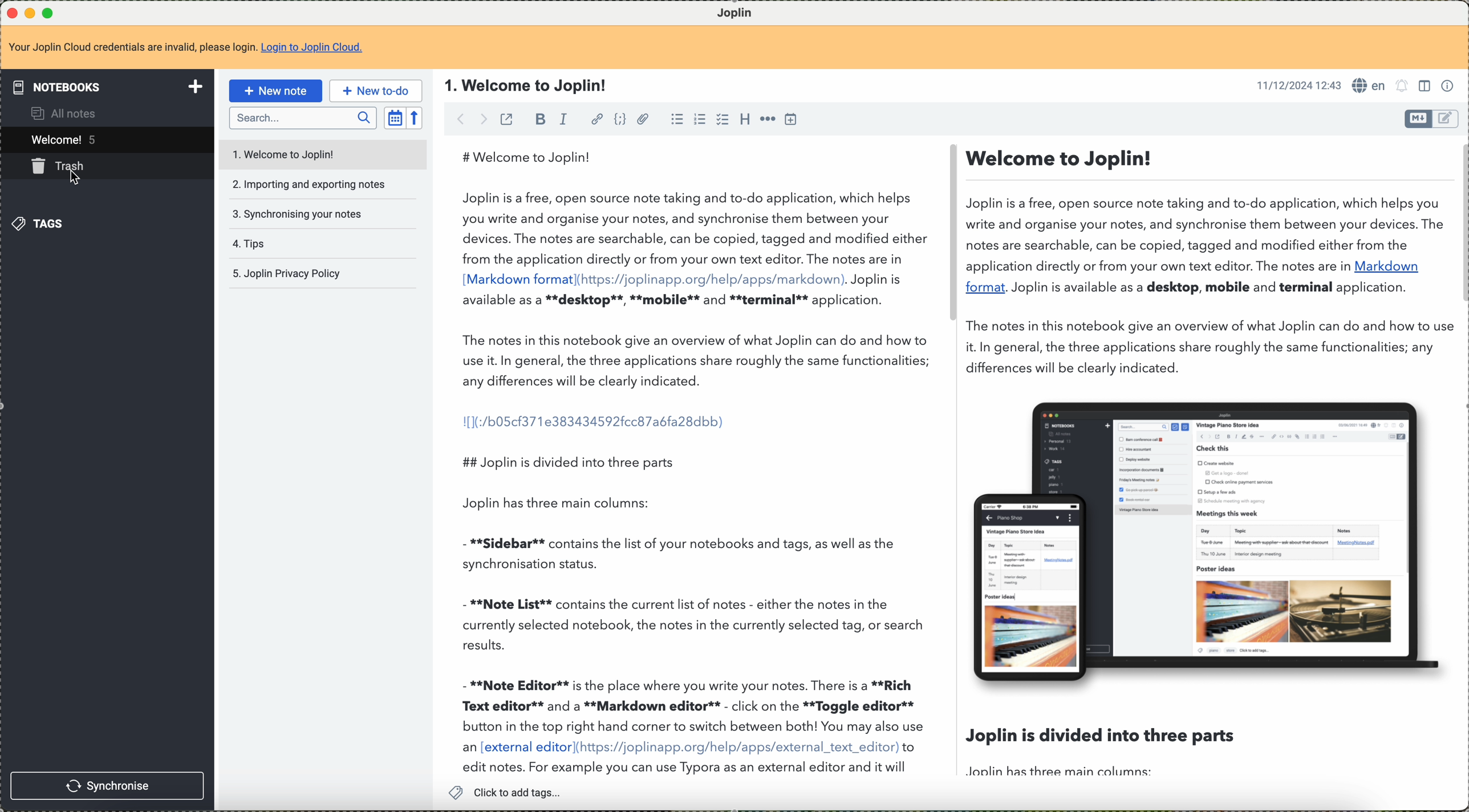 This screenshot has width=1469, height=812. I want to click on close program, so click(11, 11).